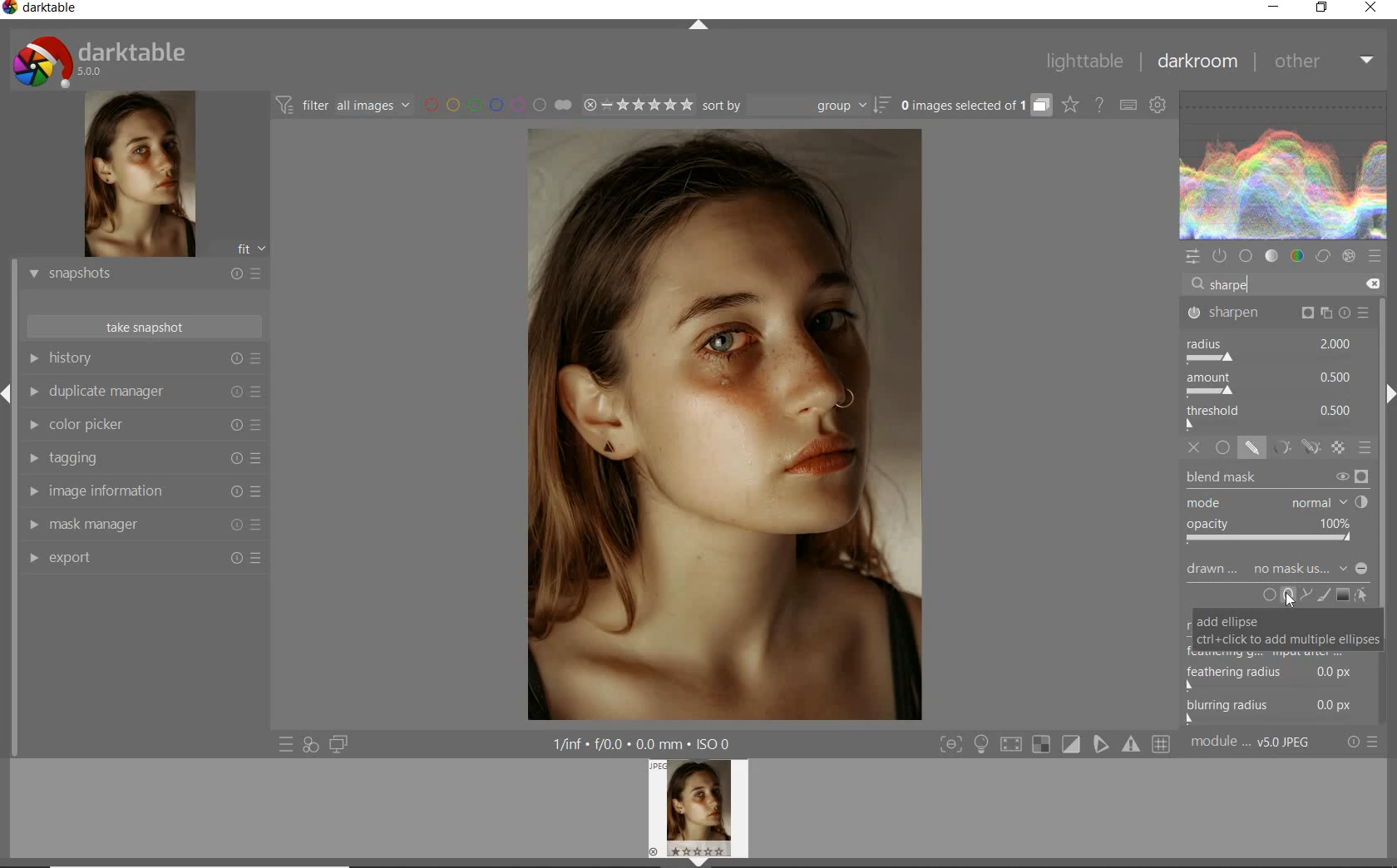  What do you see at coordinates (1276, 504) in the screenshot?
I see `MODE` at bounding box center [1276, 504].